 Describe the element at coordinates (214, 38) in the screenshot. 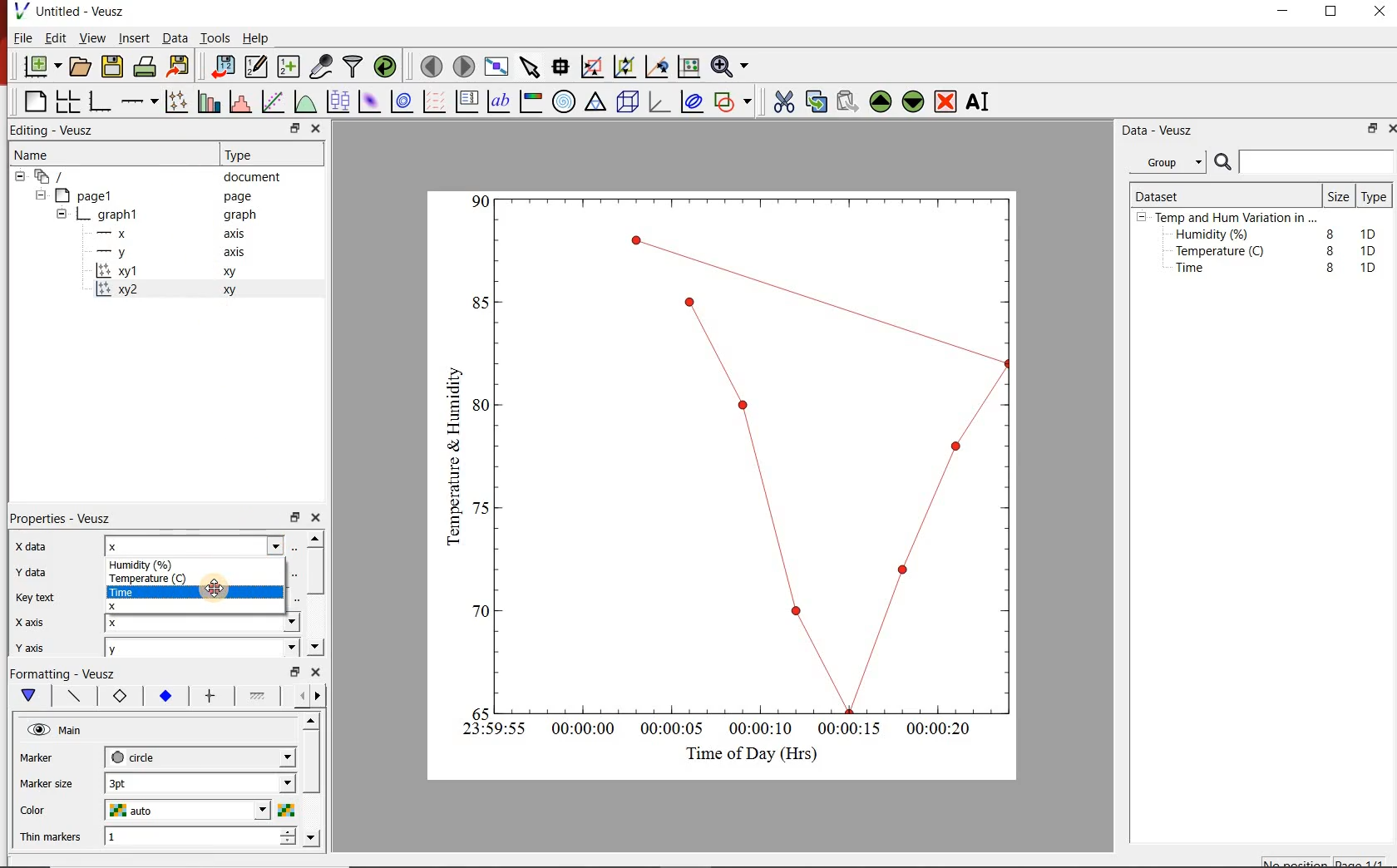

I see `Tools` at that location.